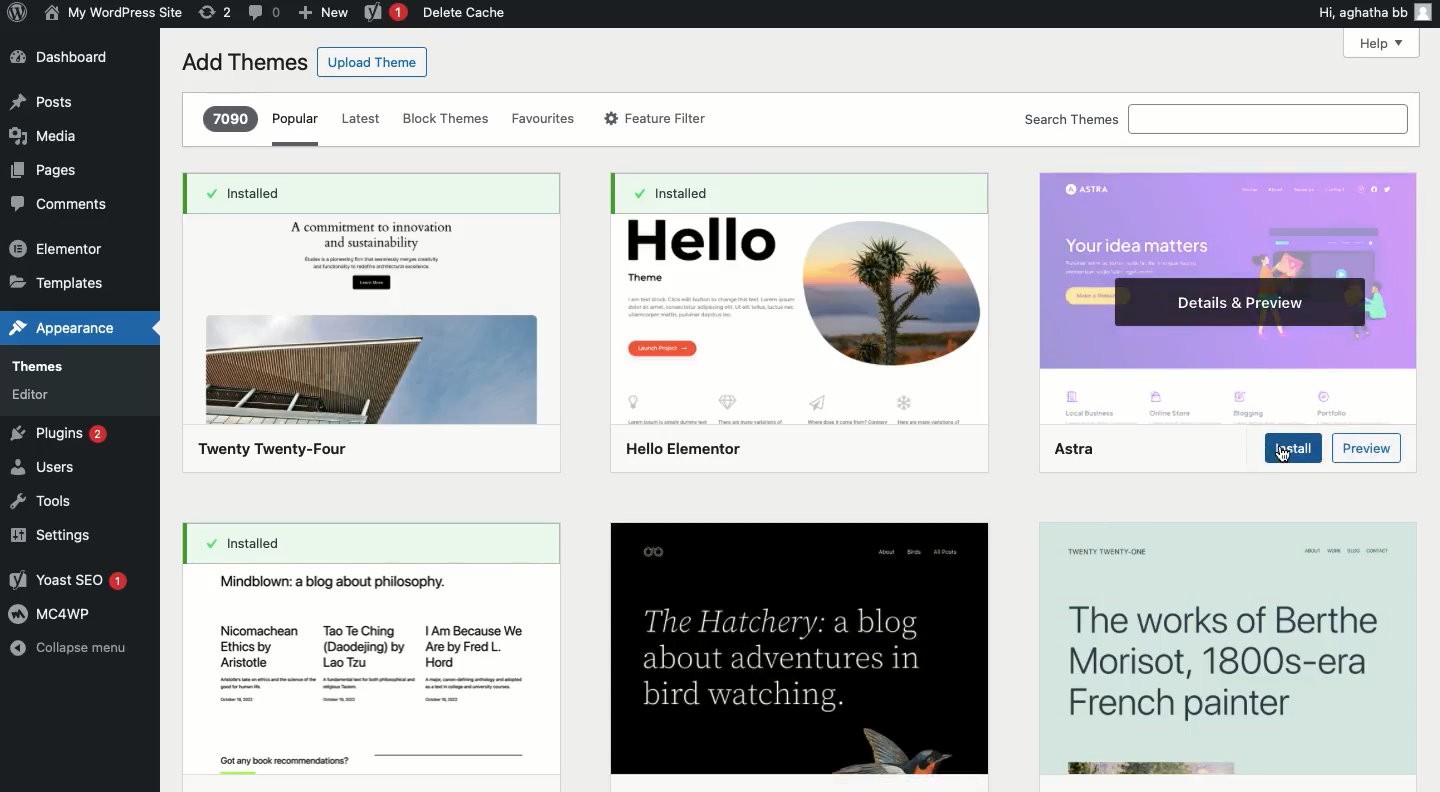  Describe the element at coordinates (62, 436) in the screenshot. I see `Plugins 2` at that location.